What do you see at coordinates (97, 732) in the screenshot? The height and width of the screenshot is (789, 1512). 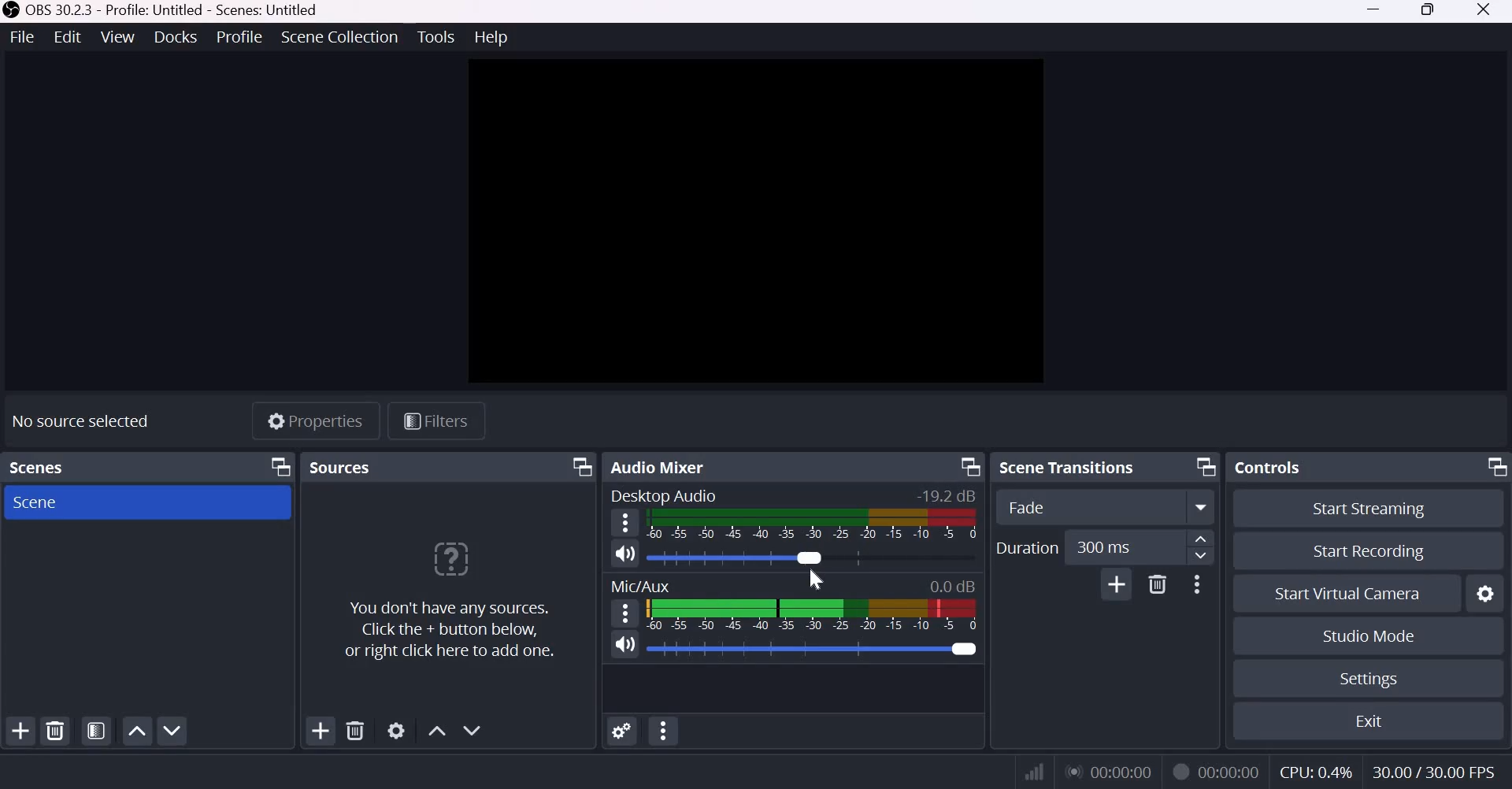 I see `Open scene filters` at bounding box center [97, 732].